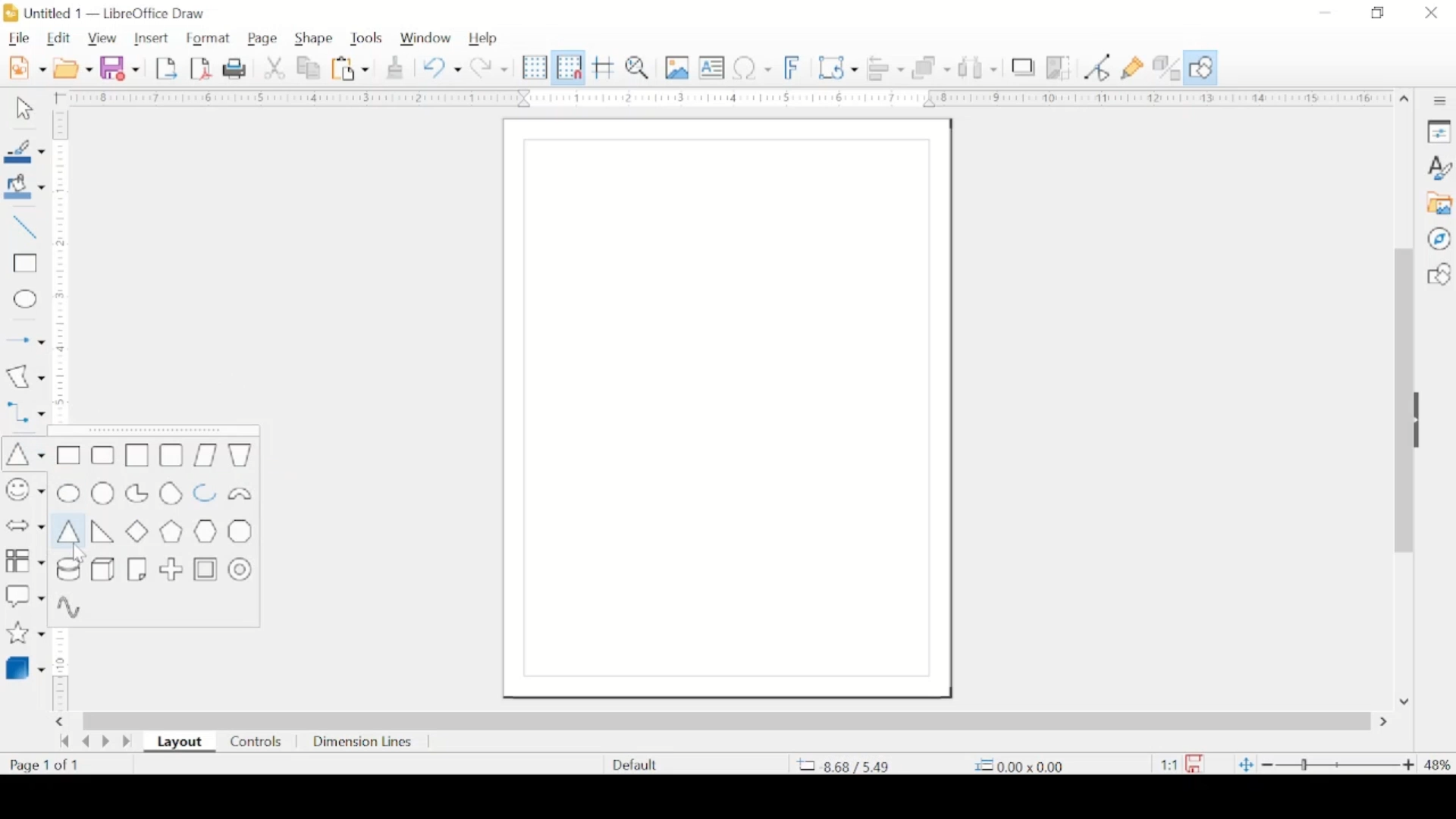 The width and height of the screenshot is (1456, 819). I want to click on next page, so click(105, 743).